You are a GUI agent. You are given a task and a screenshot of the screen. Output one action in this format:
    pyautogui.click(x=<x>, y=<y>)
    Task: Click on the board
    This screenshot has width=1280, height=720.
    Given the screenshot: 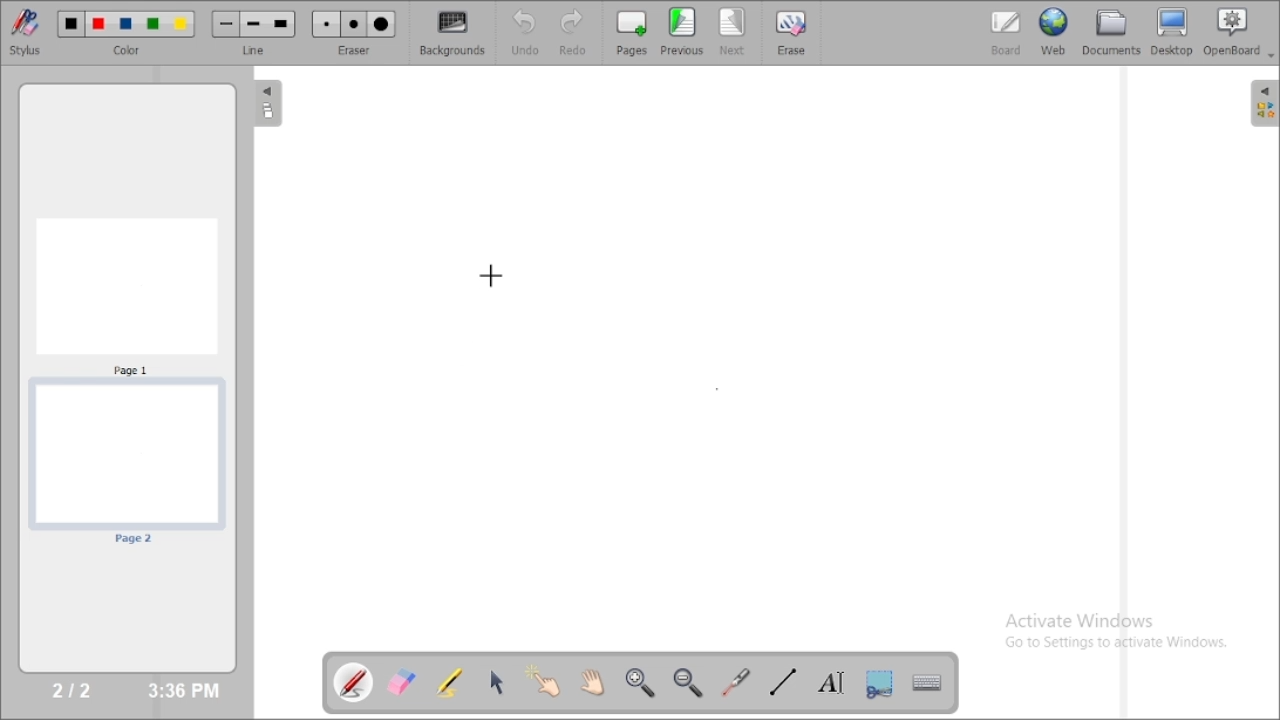 What is the action you would take?
    pyautogui.click(x=1006, y=33)
    